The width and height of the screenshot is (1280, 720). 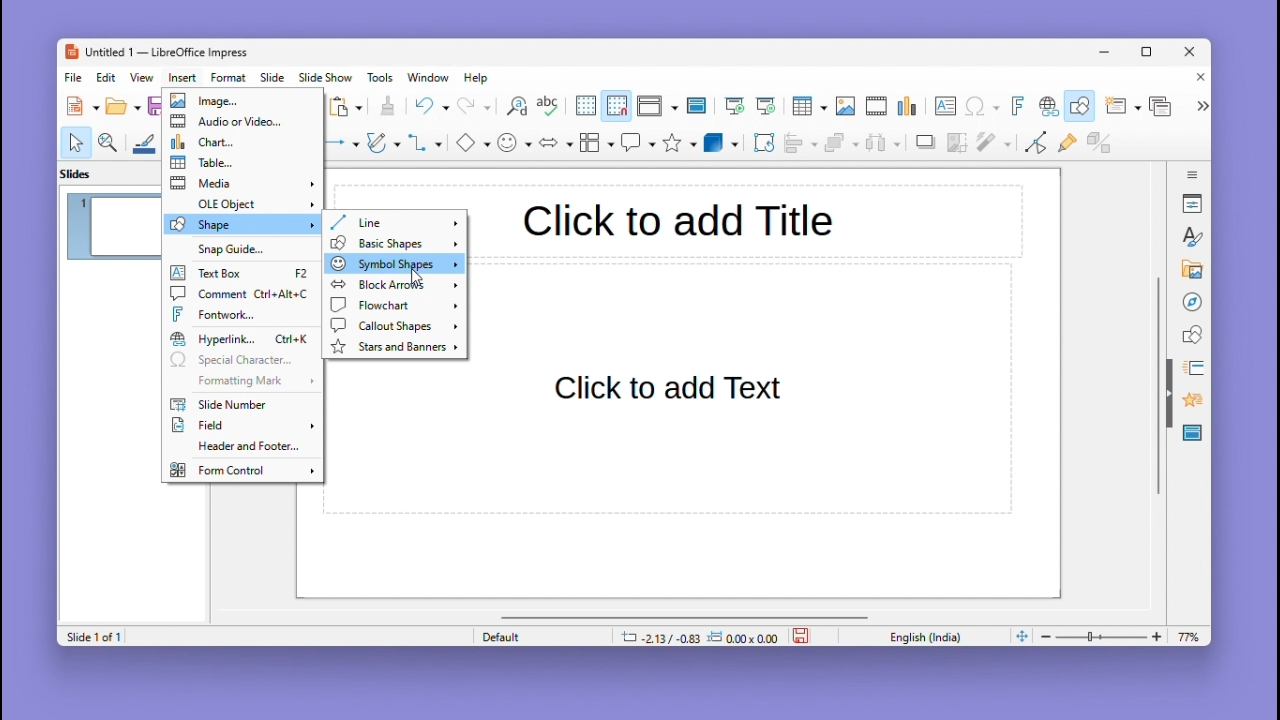 I want to click on redo, so click(x=475, y=107).